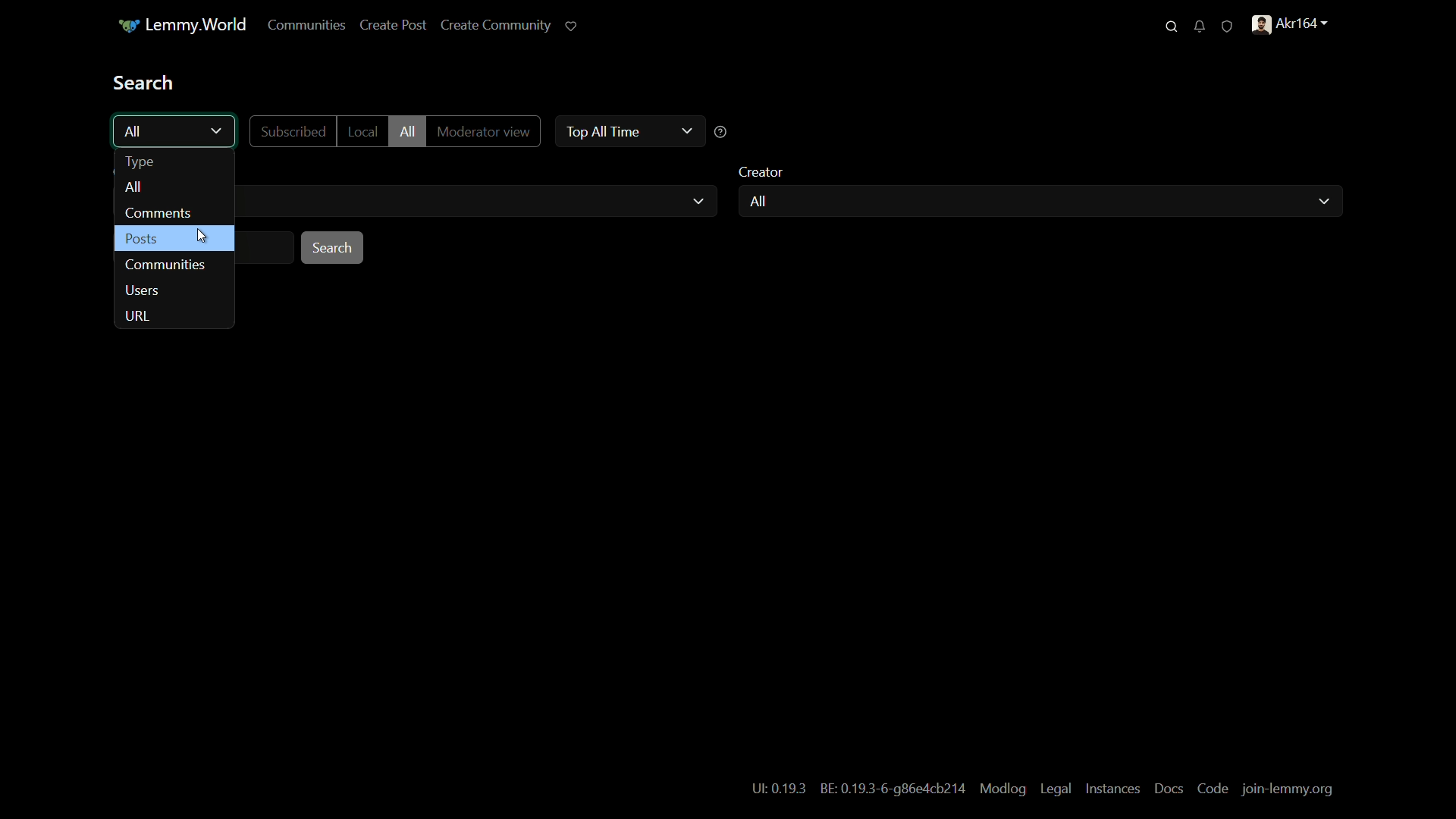  What do you see at coordinates (763, 172) in the screenshot?
I see `creator` at bounding box center [763, 172].